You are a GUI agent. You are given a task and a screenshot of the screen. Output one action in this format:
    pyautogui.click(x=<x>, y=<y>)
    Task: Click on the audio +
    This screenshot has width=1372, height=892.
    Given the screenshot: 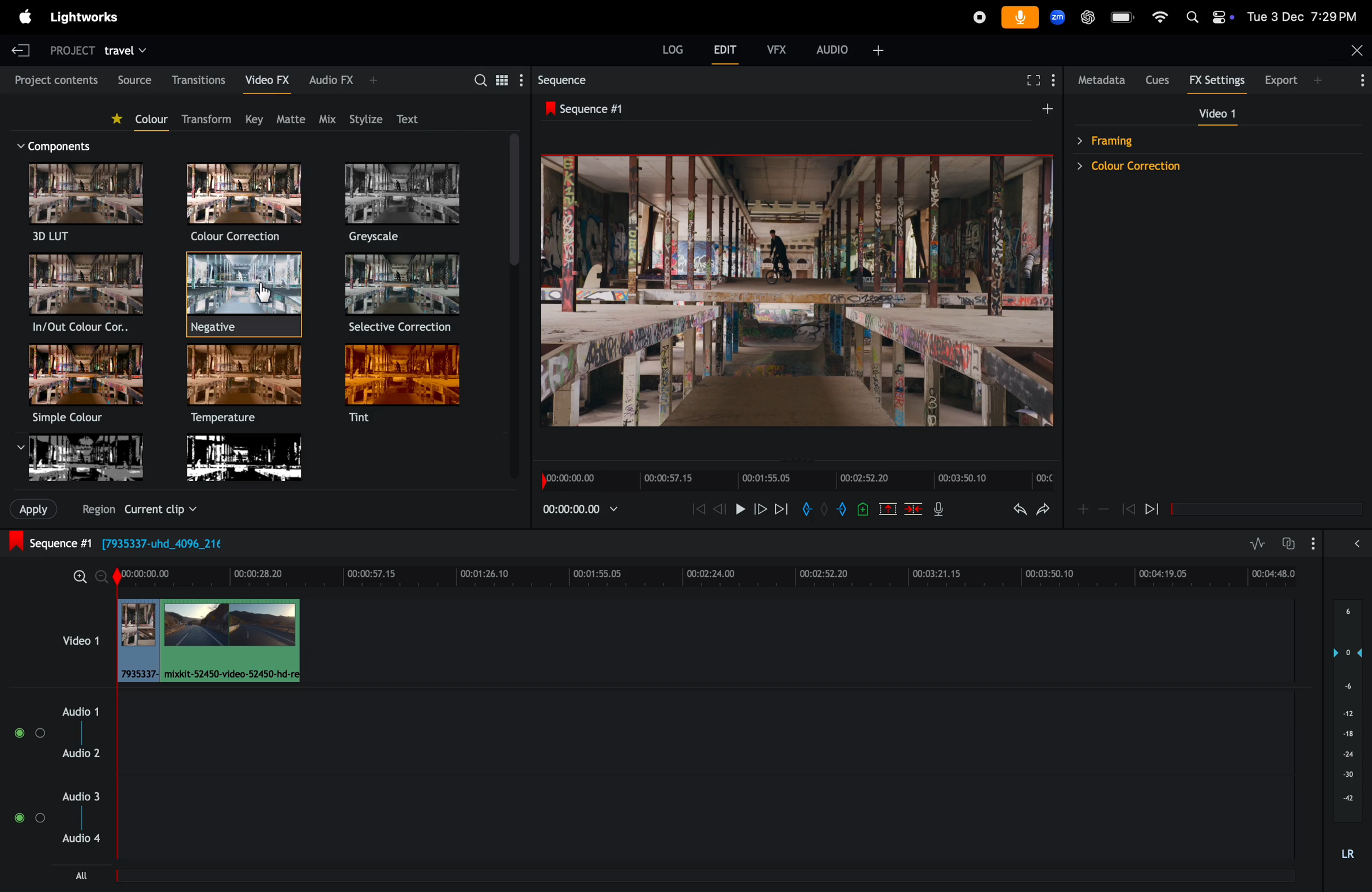 What is the action you would take?
    pyautogui.click(x=847, y=49)
    